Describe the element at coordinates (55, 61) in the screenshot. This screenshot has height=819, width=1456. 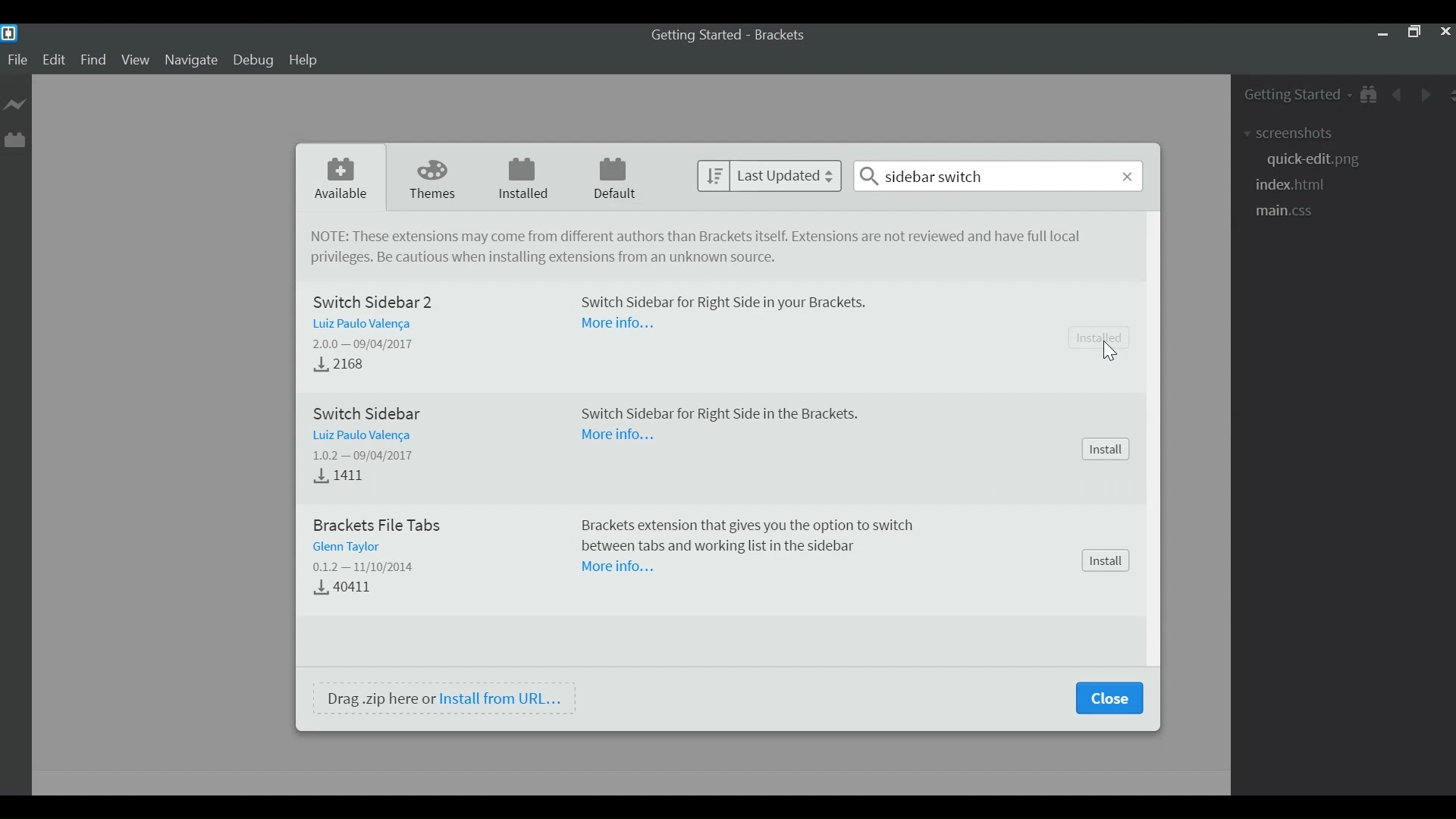
I see `Edit` at that location.